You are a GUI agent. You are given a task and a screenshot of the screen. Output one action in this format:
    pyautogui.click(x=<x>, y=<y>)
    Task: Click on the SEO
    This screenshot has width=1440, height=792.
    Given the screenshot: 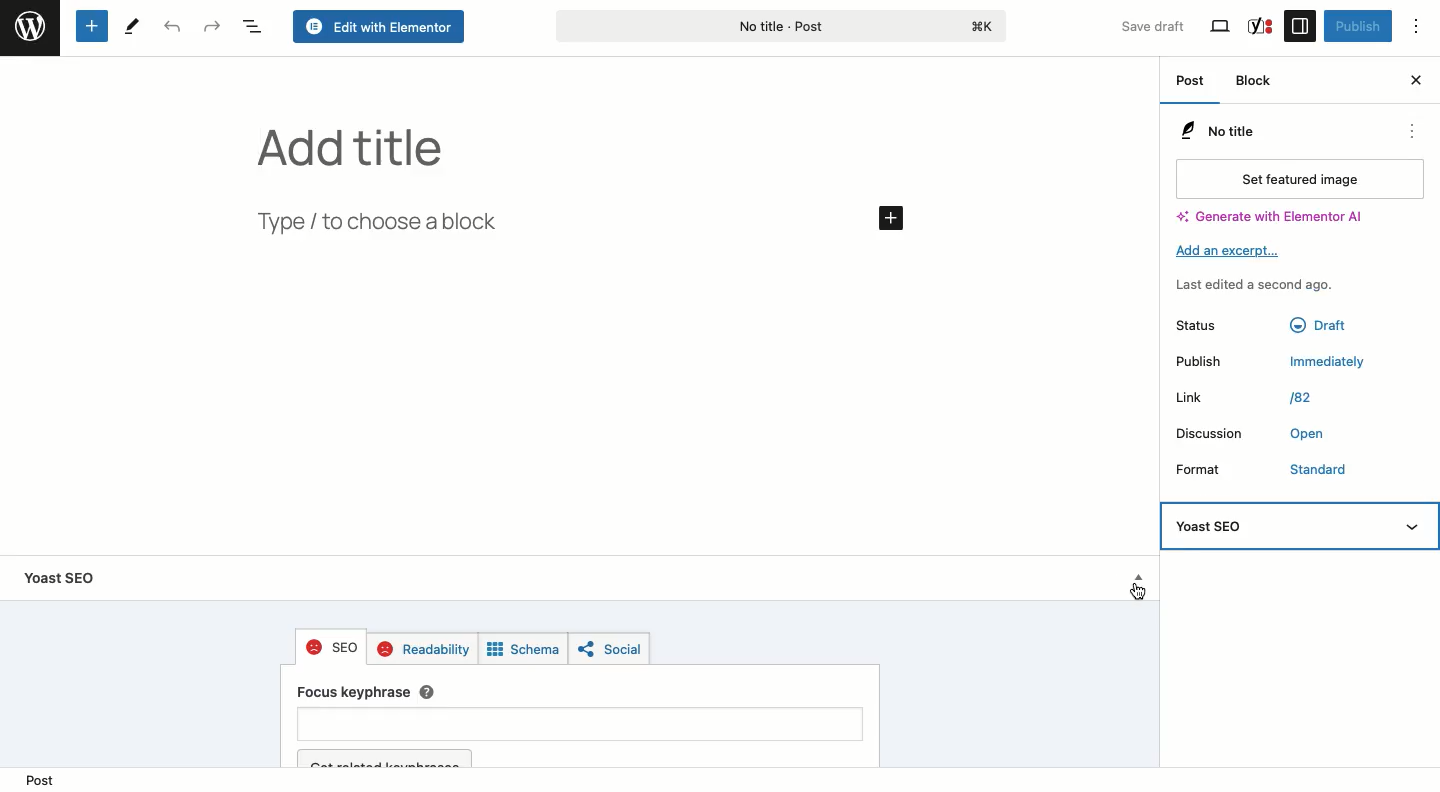 What is the action you would take?
    pyautogui.click(x=332, y=647)
    